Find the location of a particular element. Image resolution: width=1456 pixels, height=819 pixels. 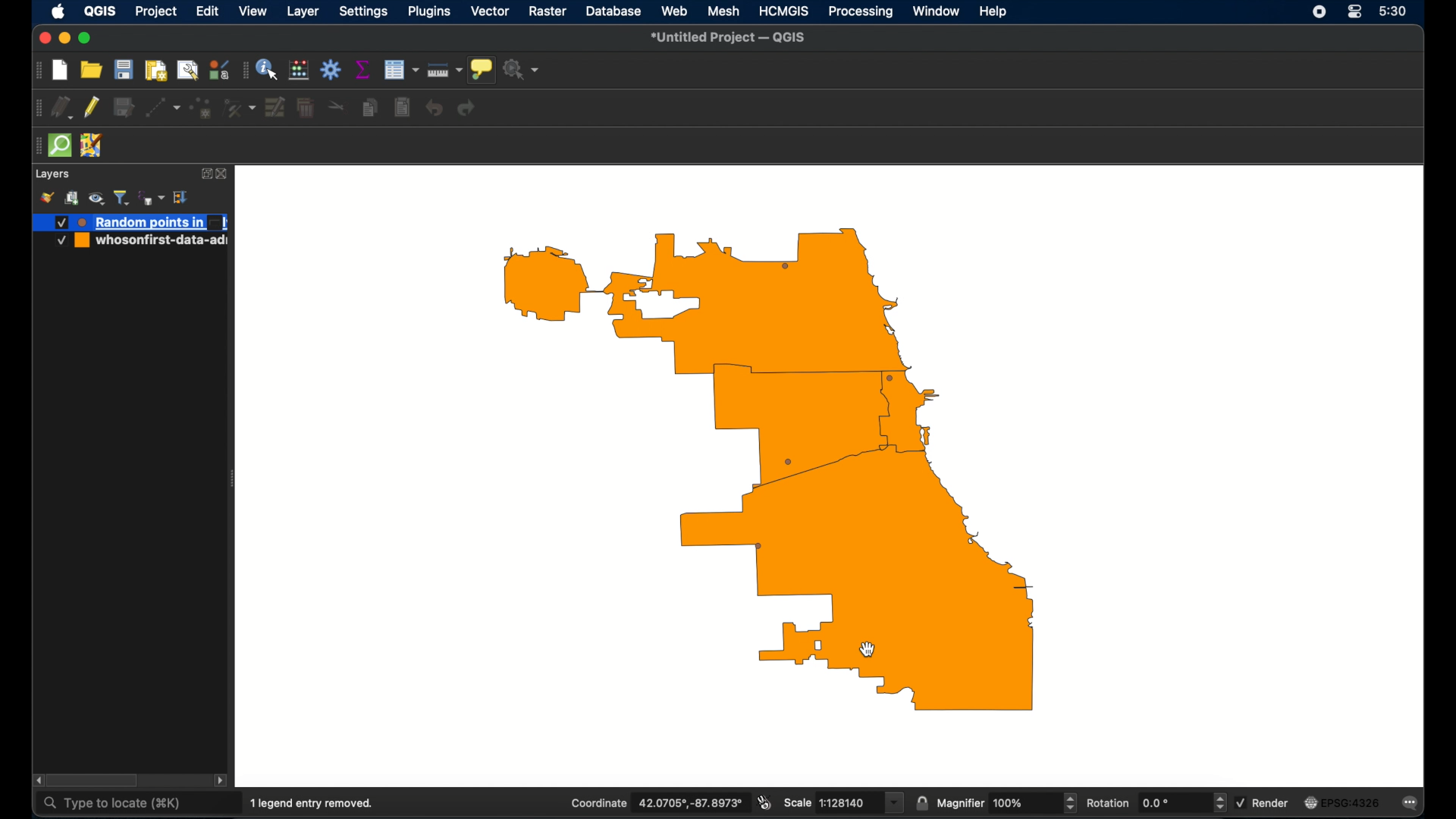

no action selected is located at coordinates (521, 69).